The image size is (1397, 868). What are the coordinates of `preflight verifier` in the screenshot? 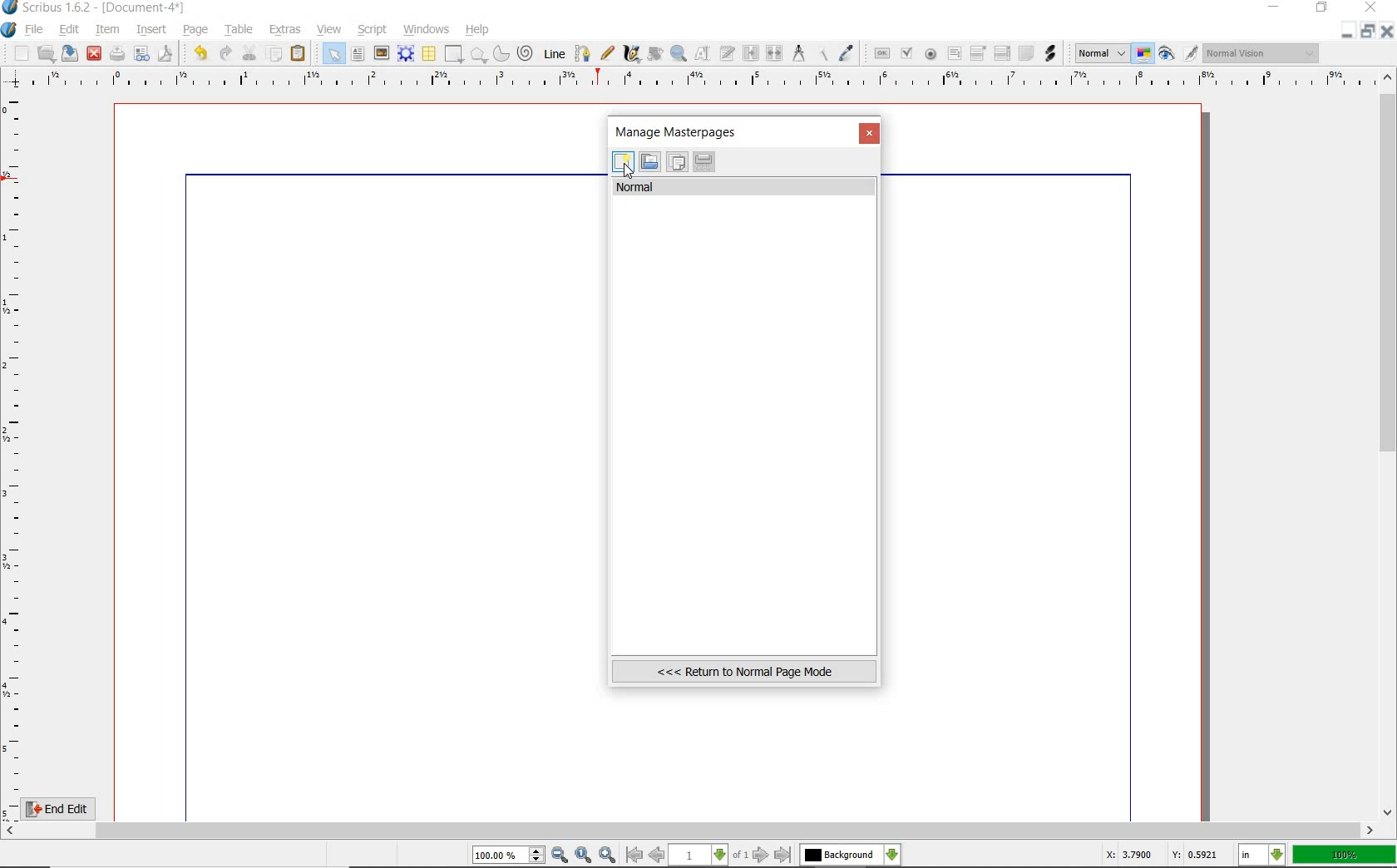 It's located at (142, 55).